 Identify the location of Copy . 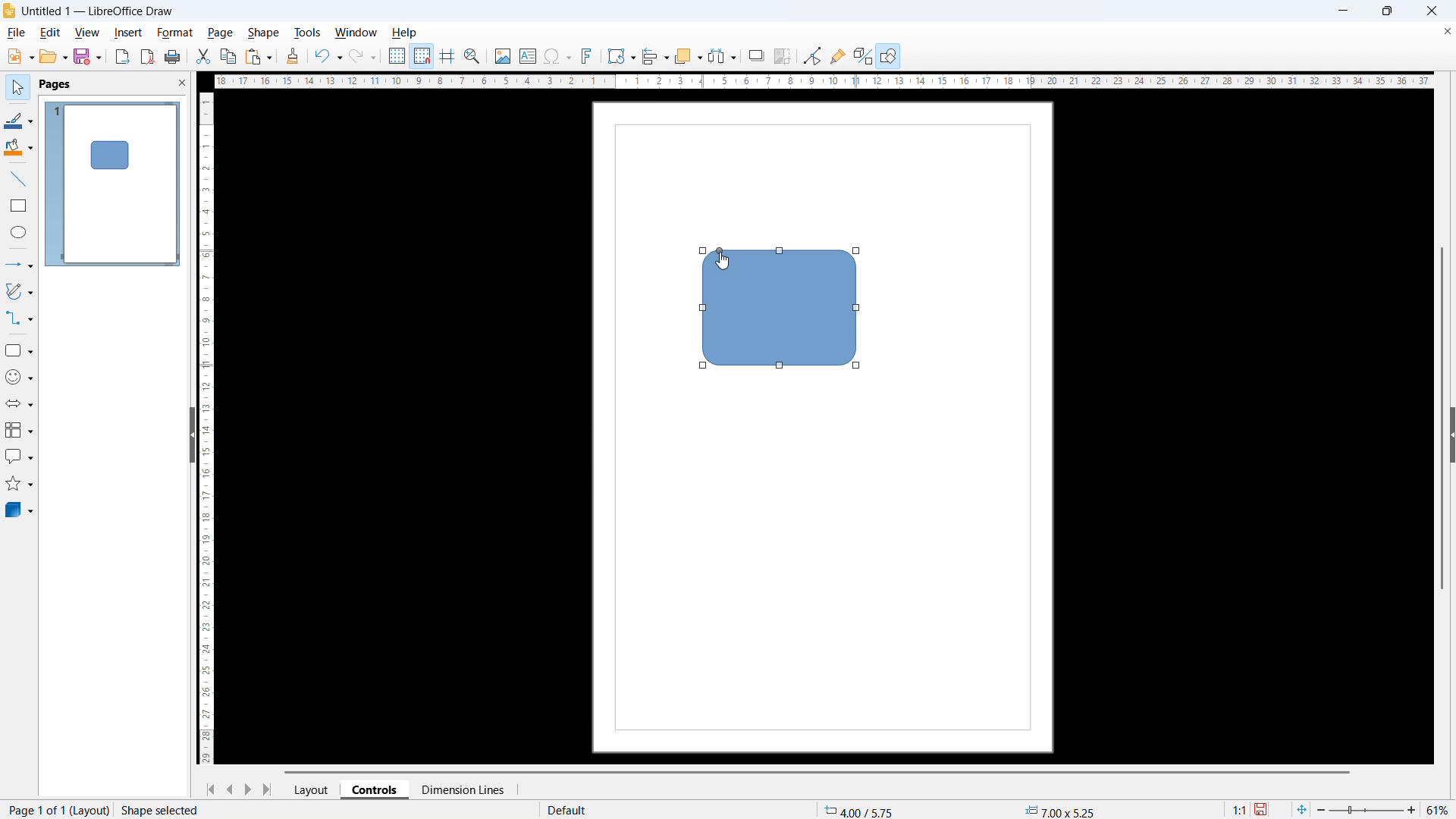
(227, 56).